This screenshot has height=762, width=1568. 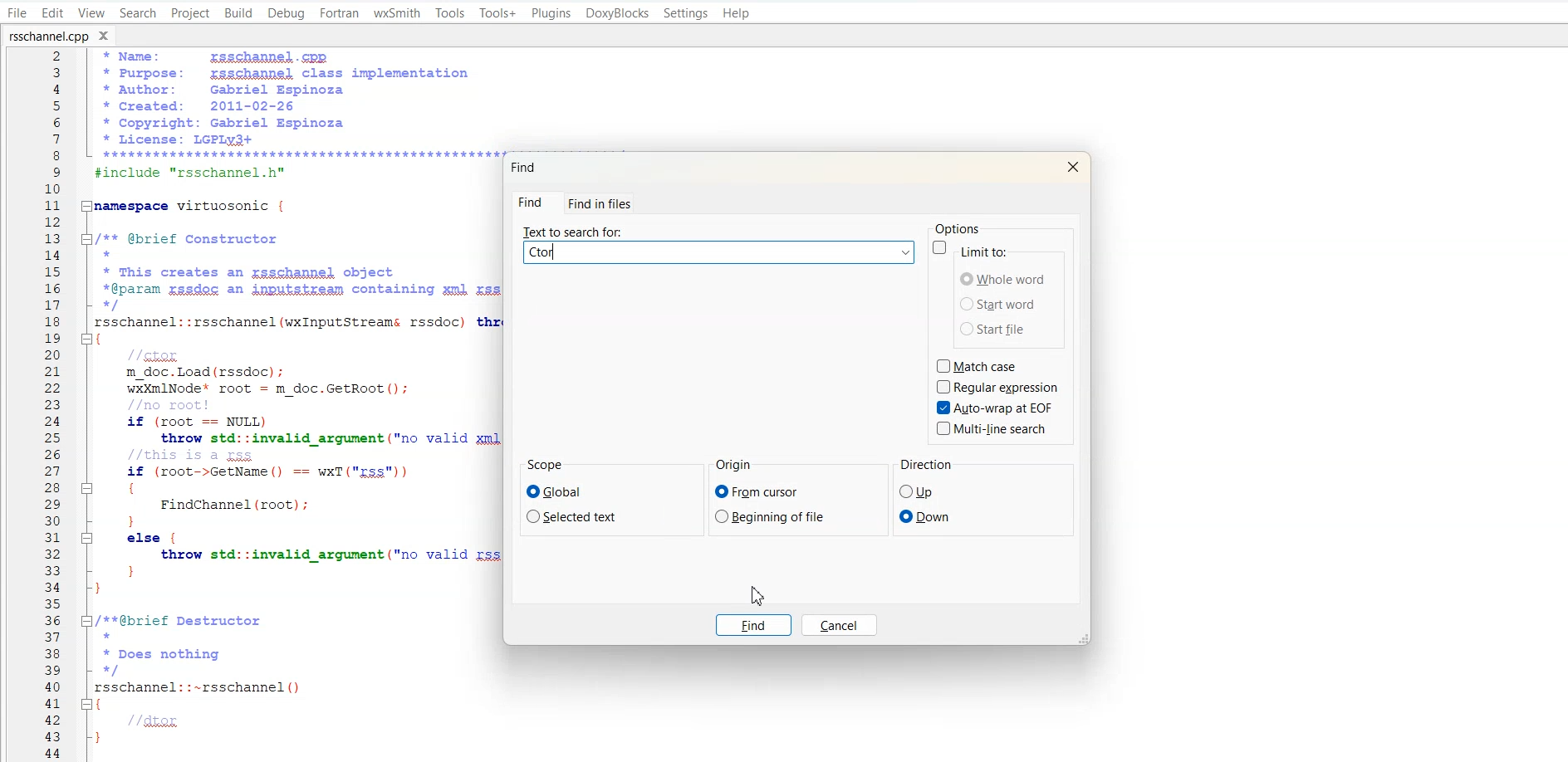 I want to click on DoxyBlocks, so click(x=617, y=12).